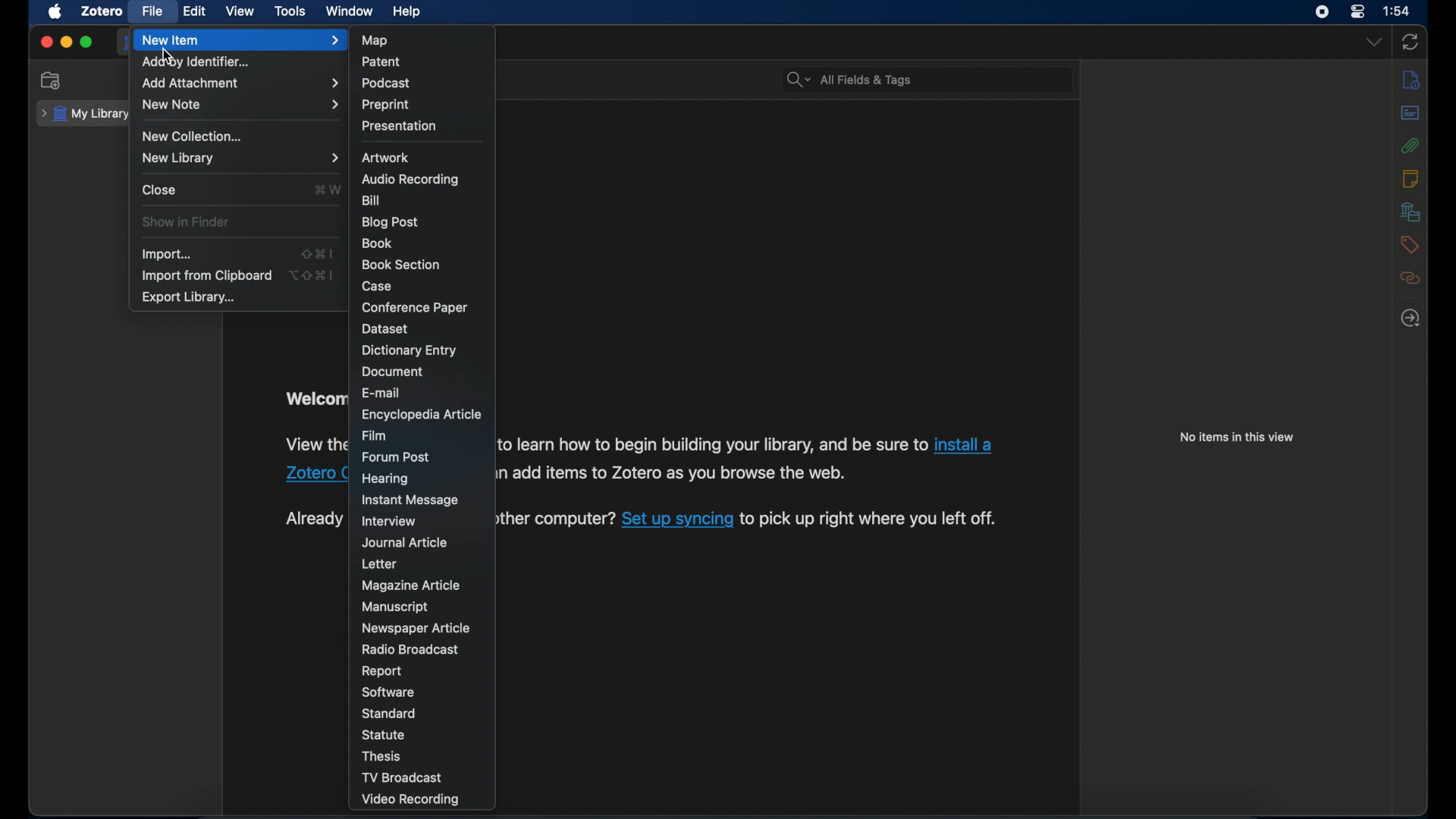 The image size is (1456, 819). Describe the element at coordinates (391, 222) in the screenshot. I see `blog post` at that location.